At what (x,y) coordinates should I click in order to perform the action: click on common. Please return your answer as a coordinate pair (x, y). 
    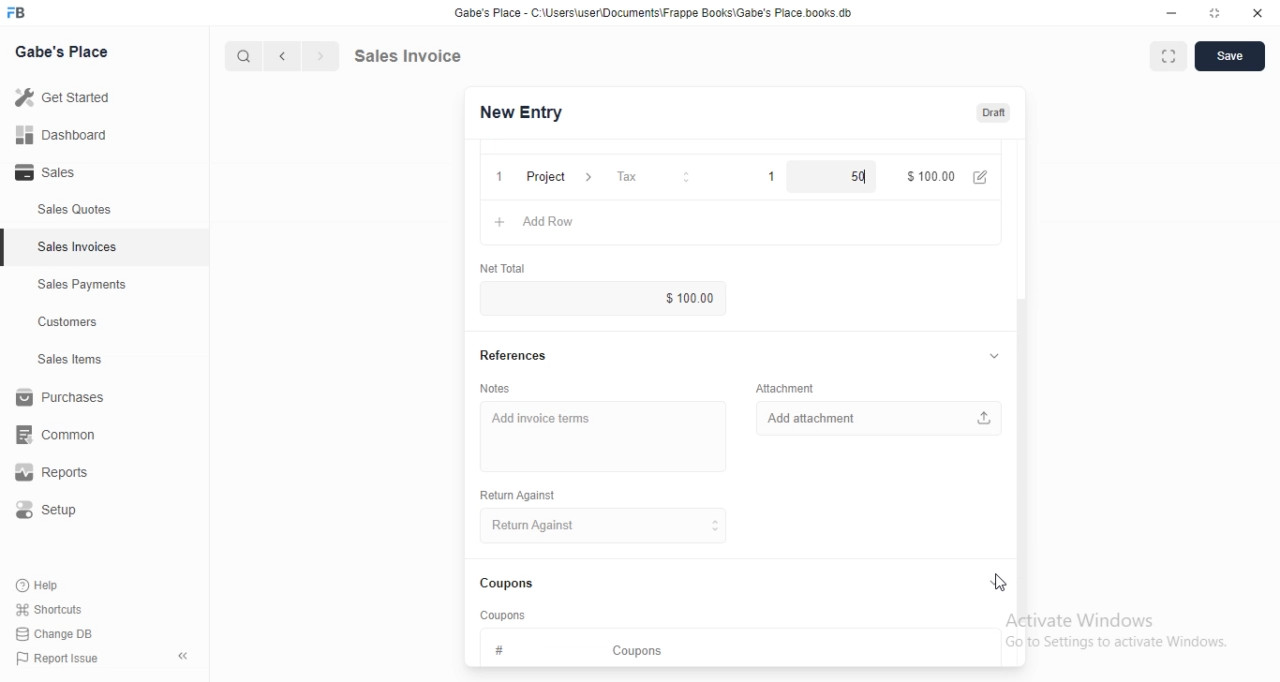
    Looking at the image, I should click on (62, 434).